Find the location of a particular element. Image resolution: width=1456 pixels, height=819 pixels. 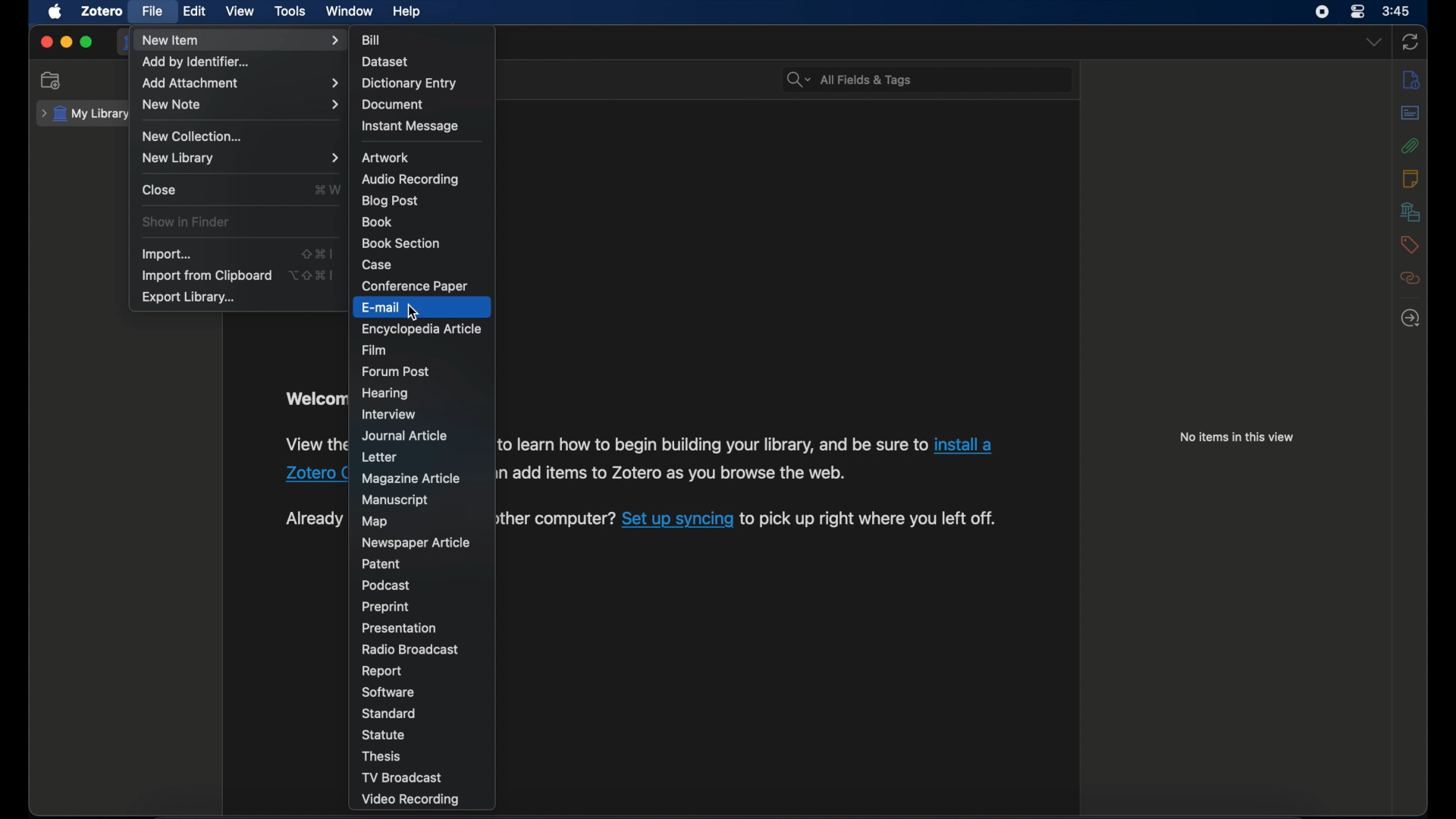

no items in this view is located at coordinates (1238, 437).